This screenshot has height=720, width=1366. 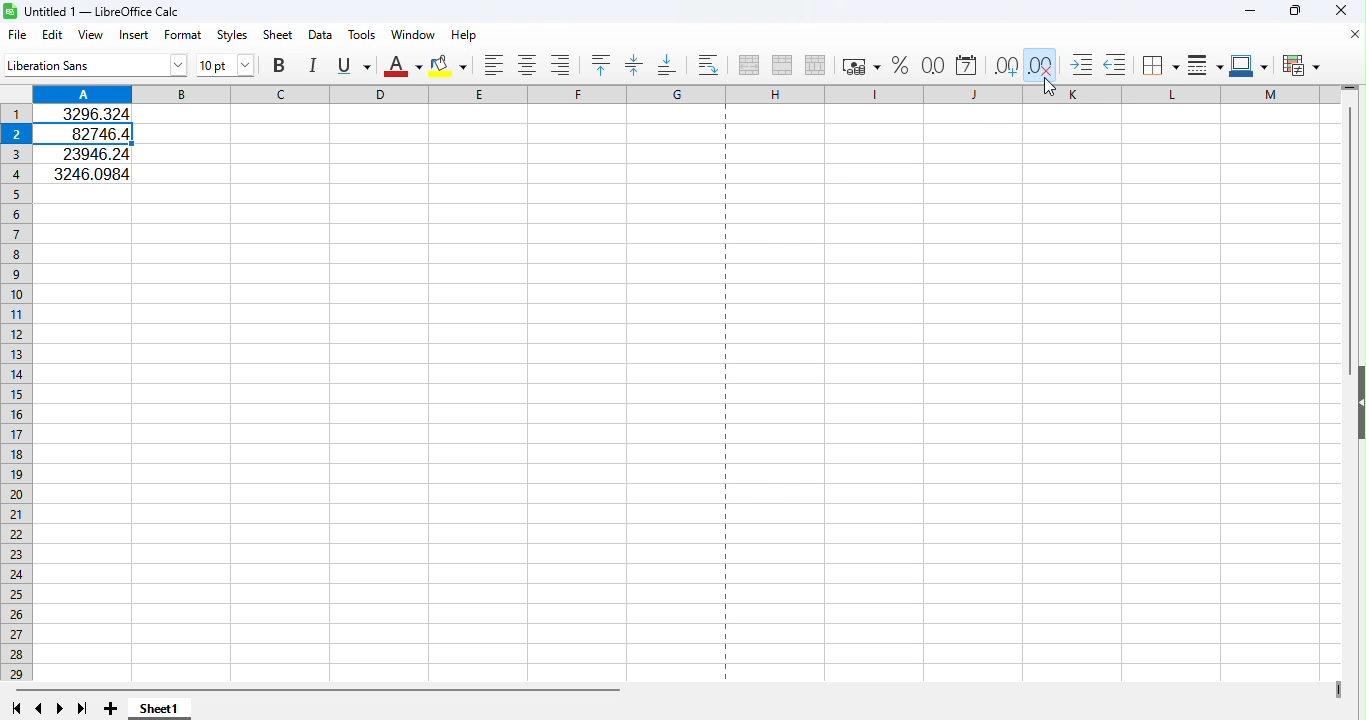 What do you see at coordinates (275, 34) in the screenshot?
I see `Sheet` at bounding box center [275, 34].